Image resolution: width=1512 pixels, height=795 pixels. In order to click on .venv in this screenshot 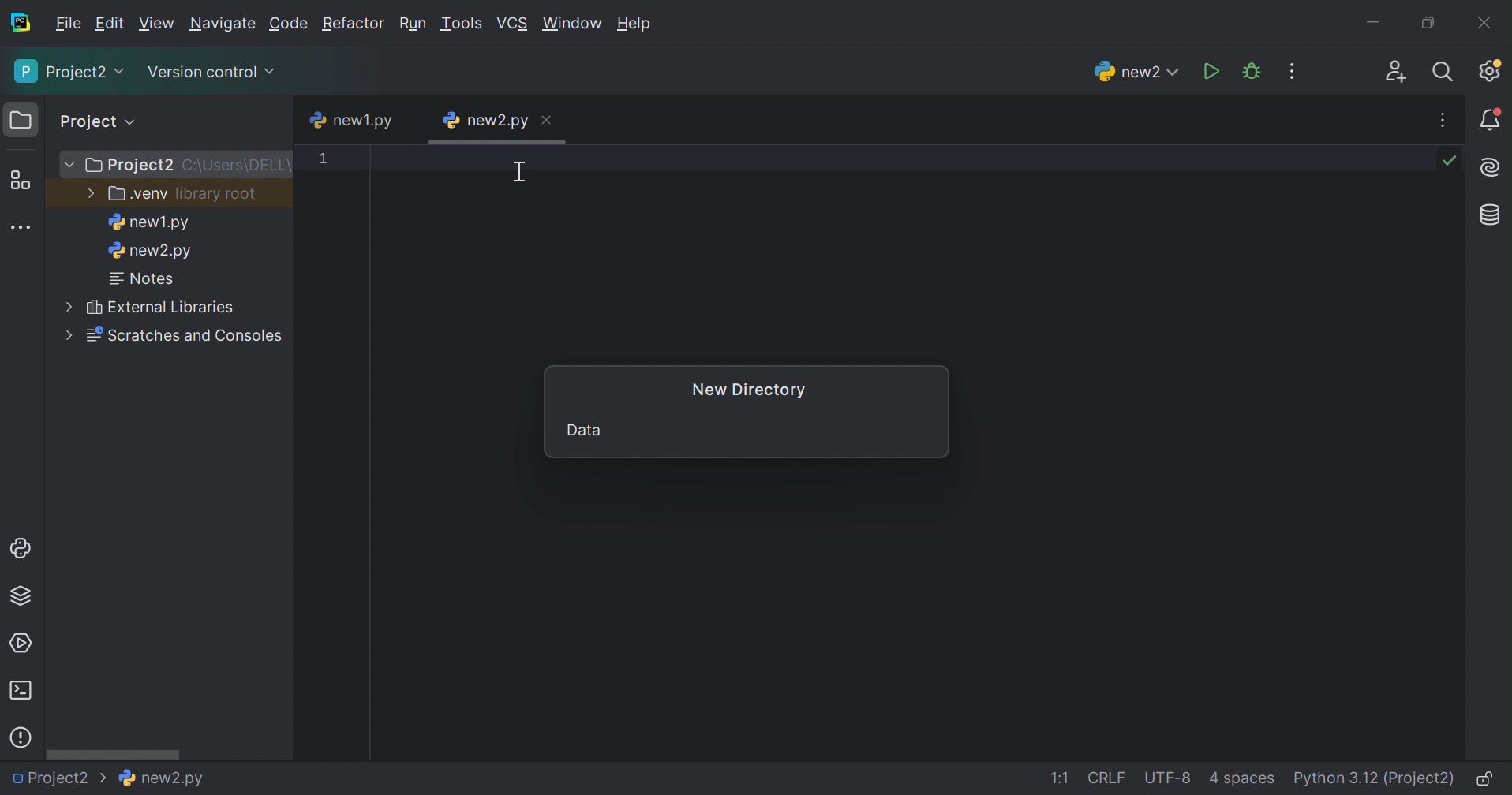, I will do `click(137, 195)`.